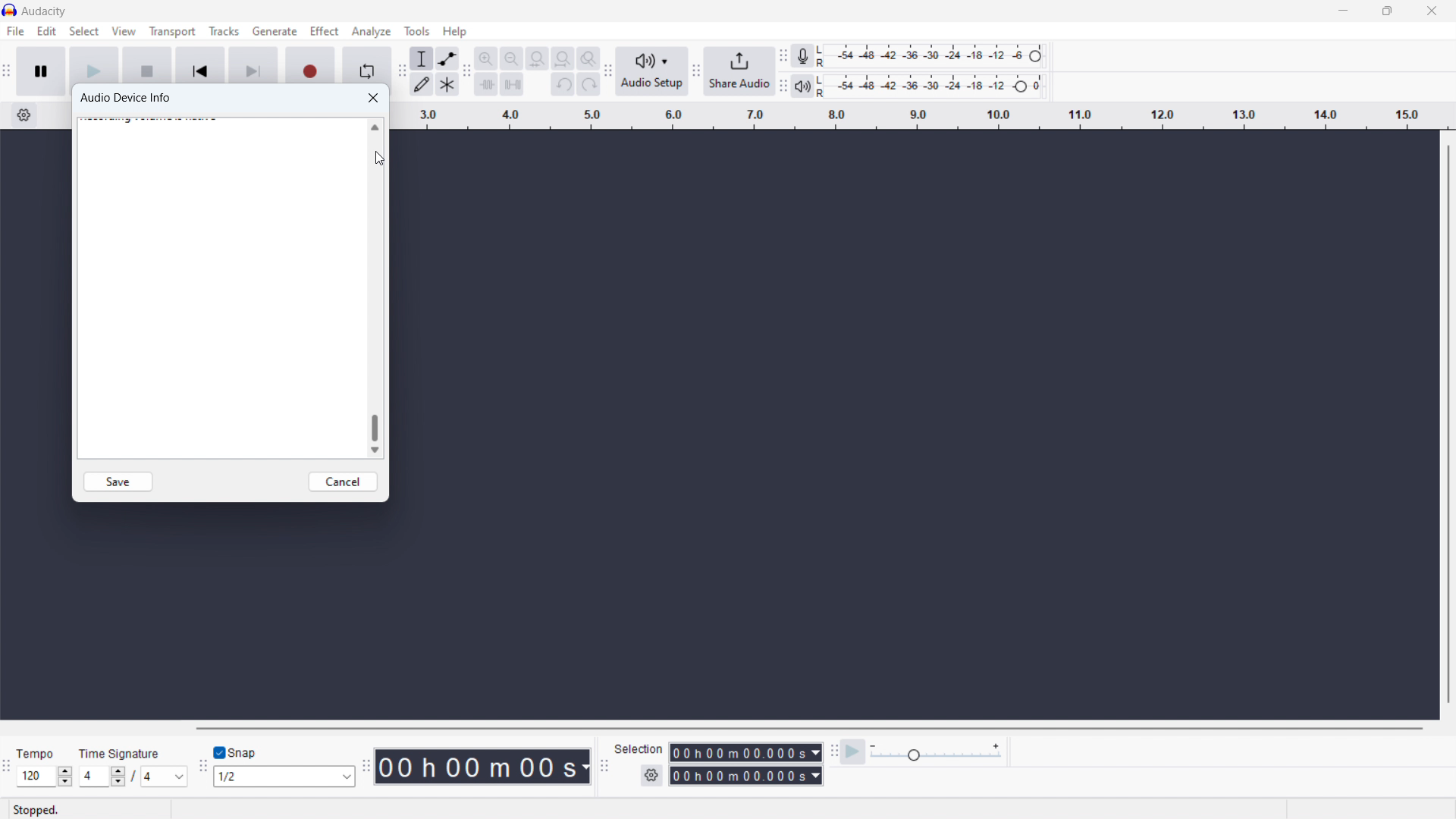 The height and width of the screenshot is (819, 1456). What do you see at coordinates (783, 87) in the screenshot?
I see `playback meter toolbar` at bounding box center [783, 87].